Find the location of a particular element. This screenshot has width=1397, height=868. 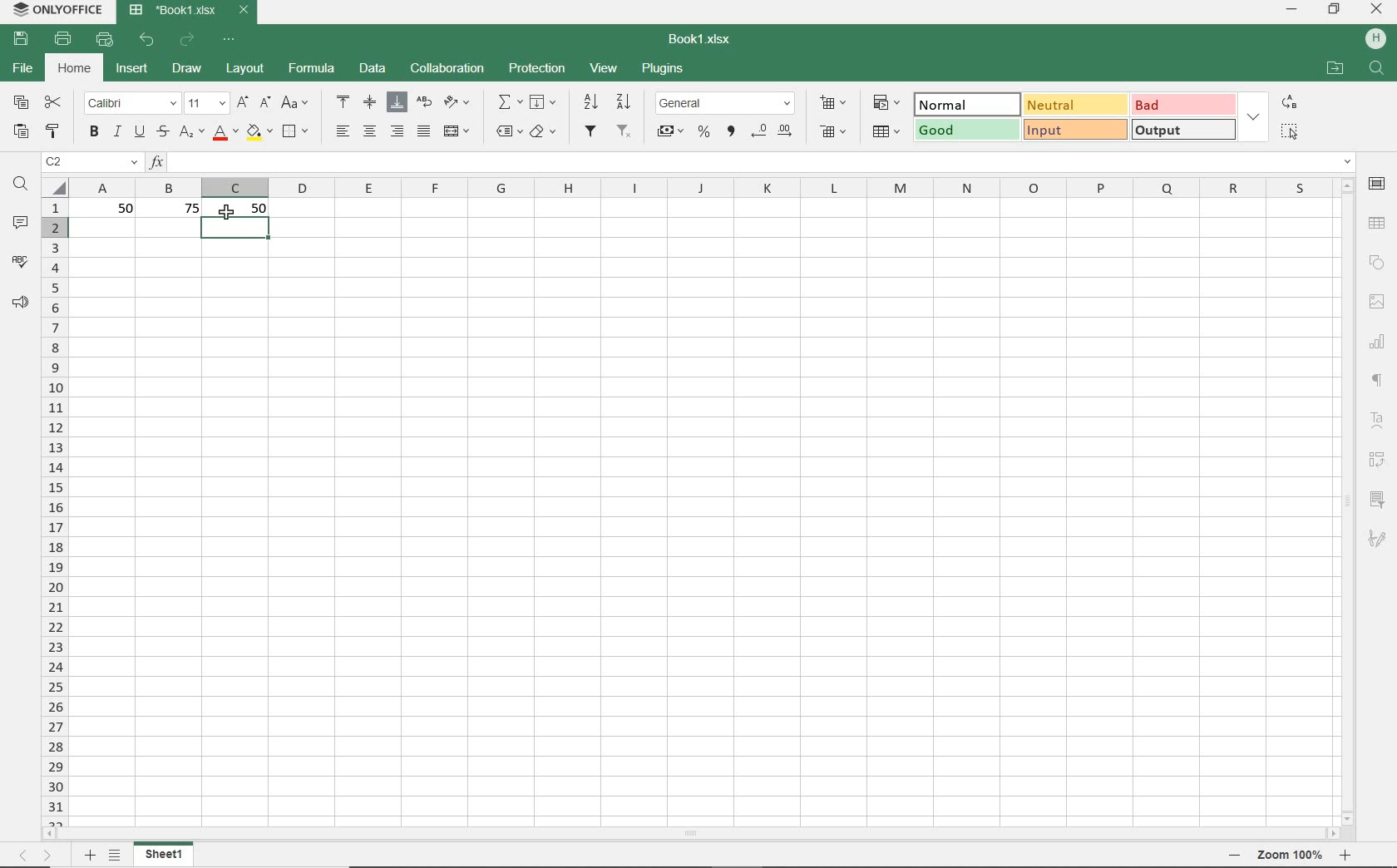

orientation is located at coordinates (461, 105).